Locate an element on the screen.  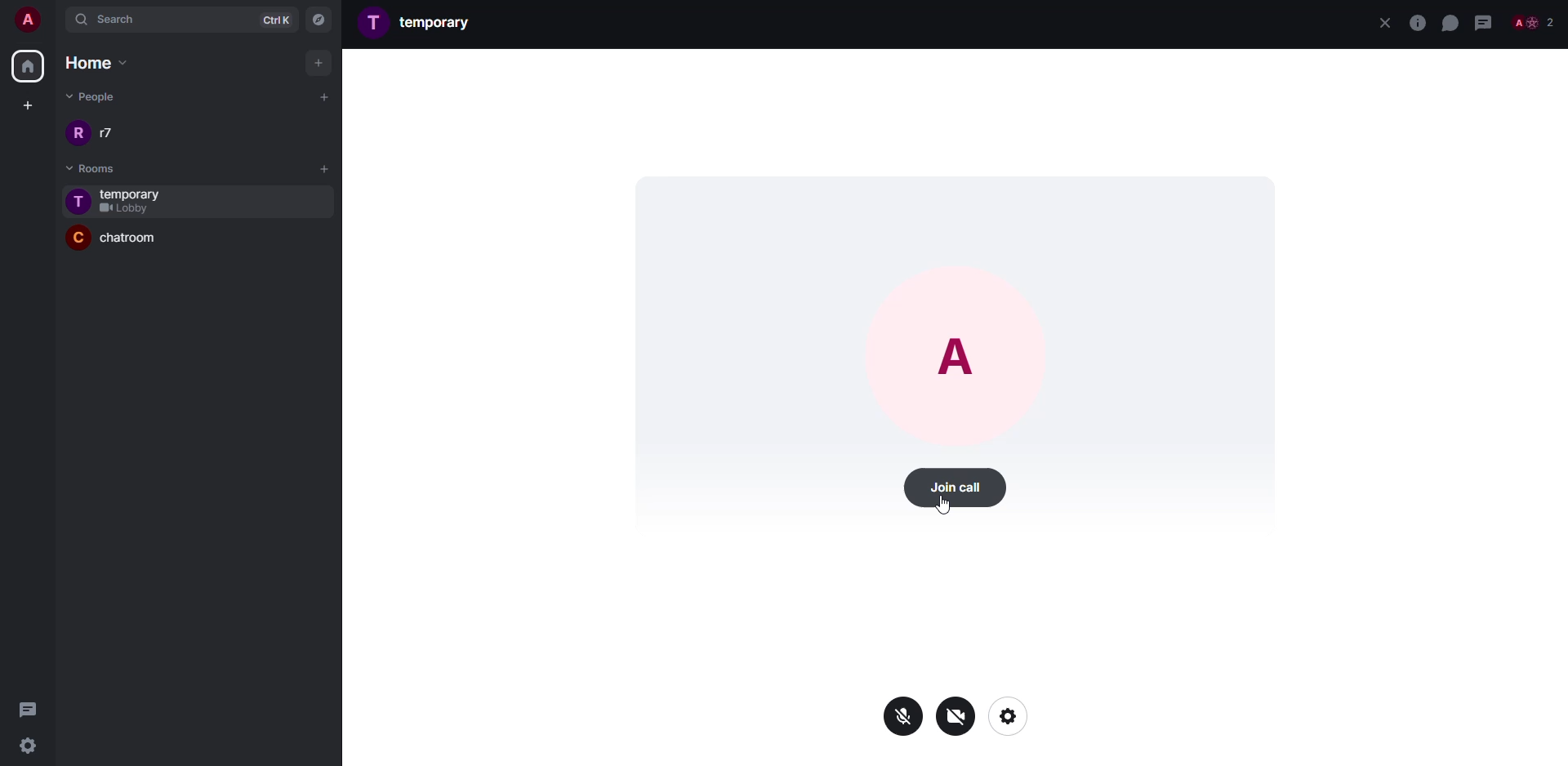
lobby is located at coordinates (127, 208).